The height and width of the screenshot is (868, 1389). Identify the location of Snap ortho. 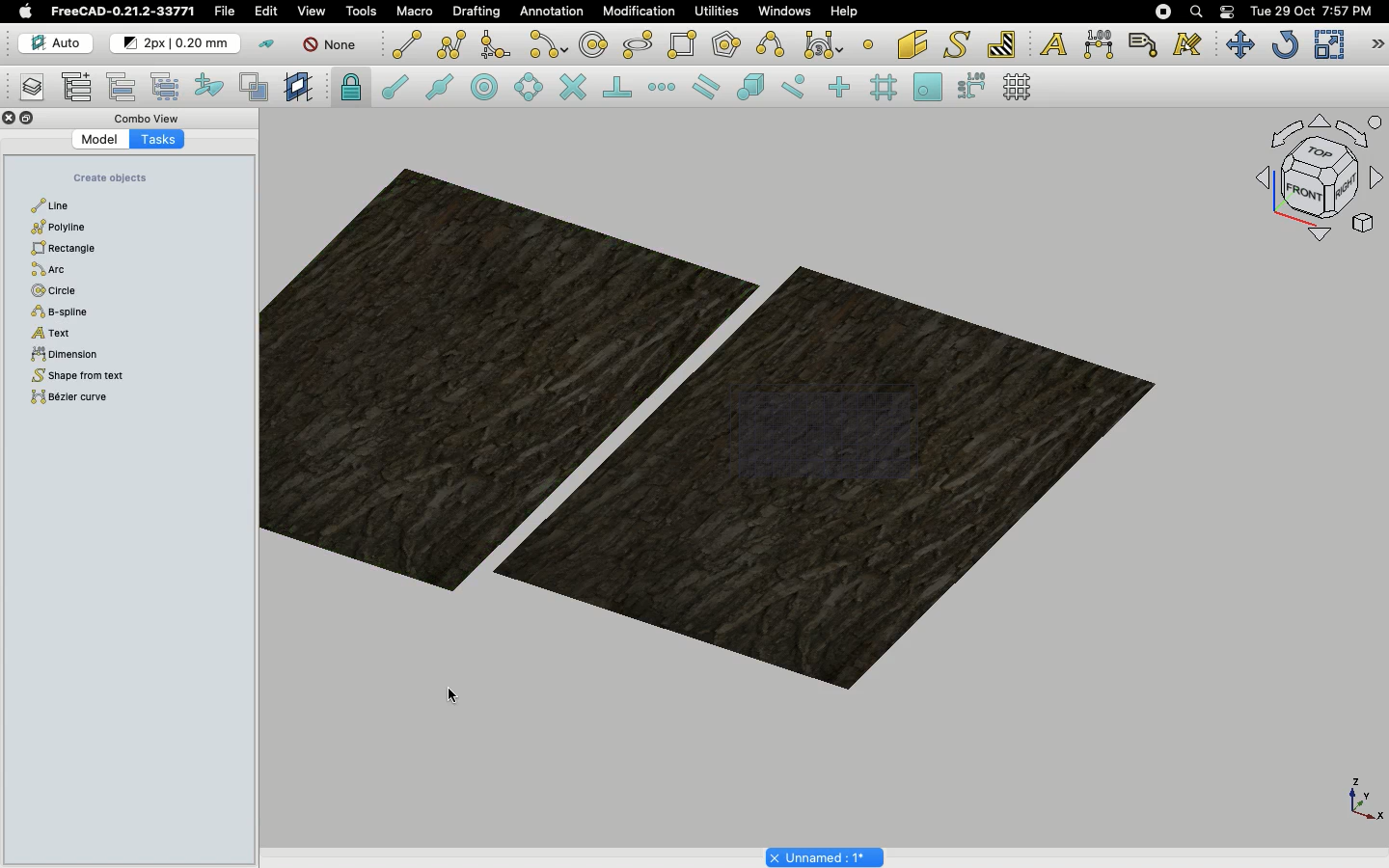
(842, 89).